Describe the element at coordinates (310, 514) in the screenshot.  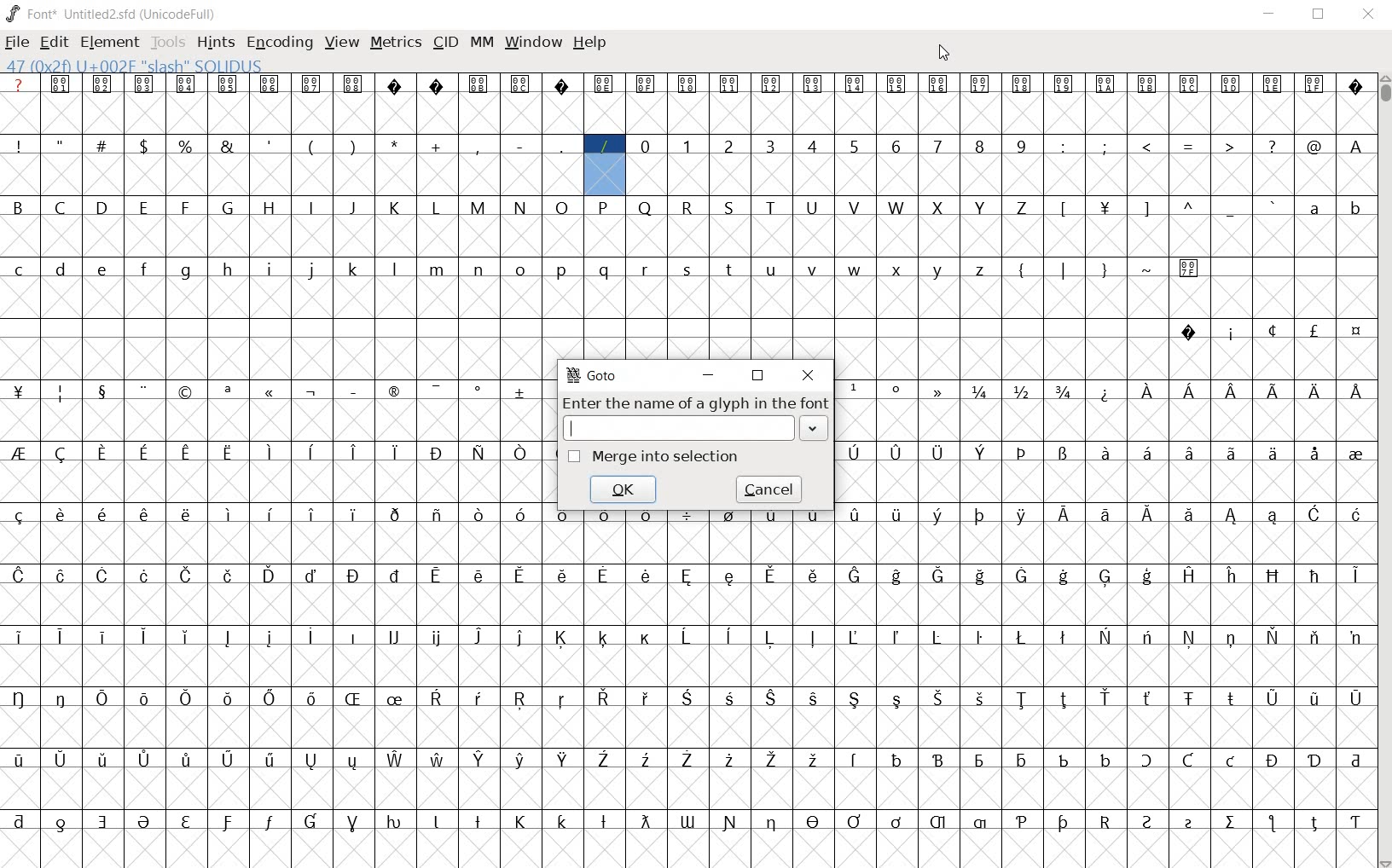
I see `glyph` at that location.